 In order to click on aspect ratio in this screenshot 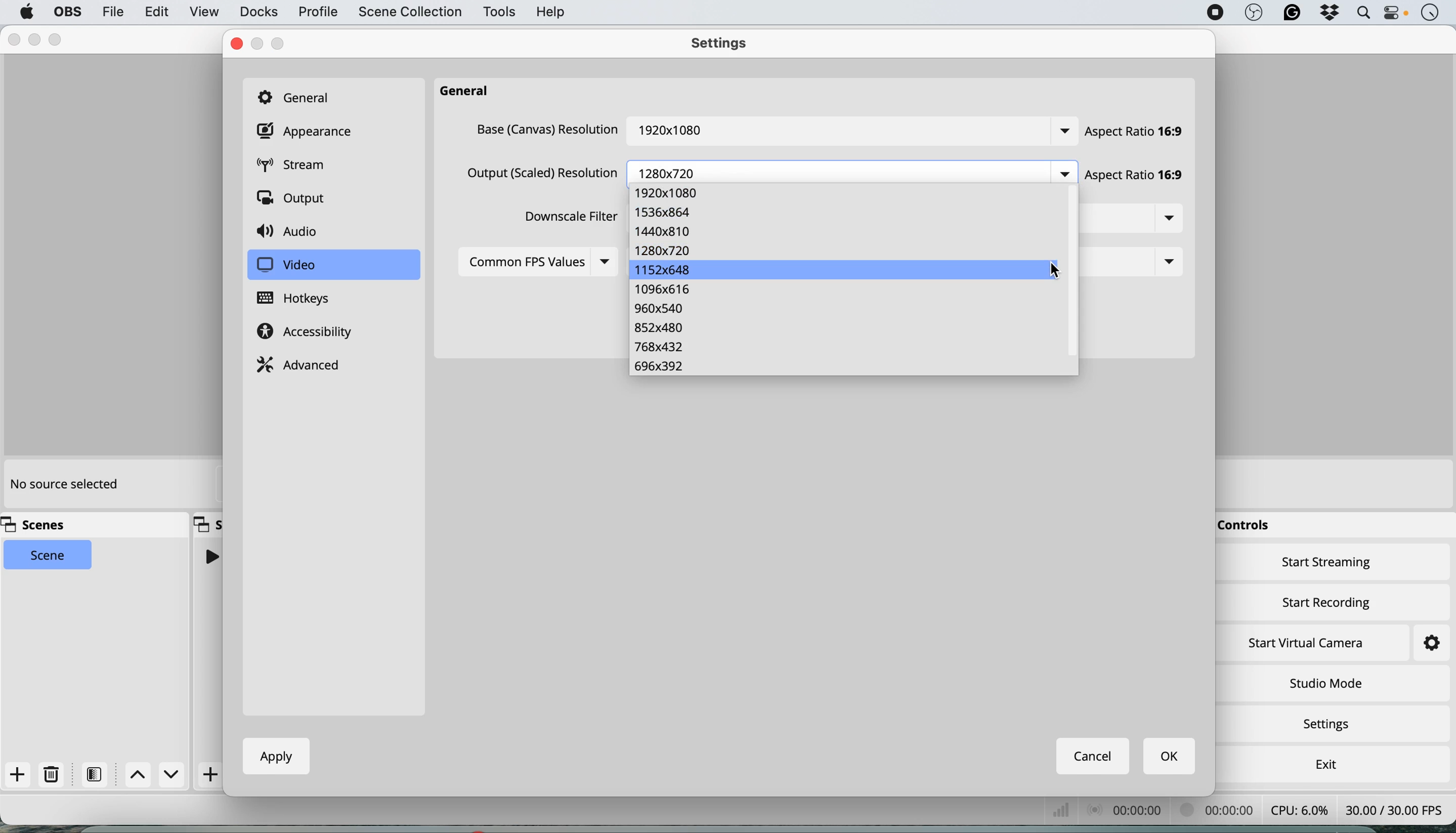, I will do `click(1138, 132)`.